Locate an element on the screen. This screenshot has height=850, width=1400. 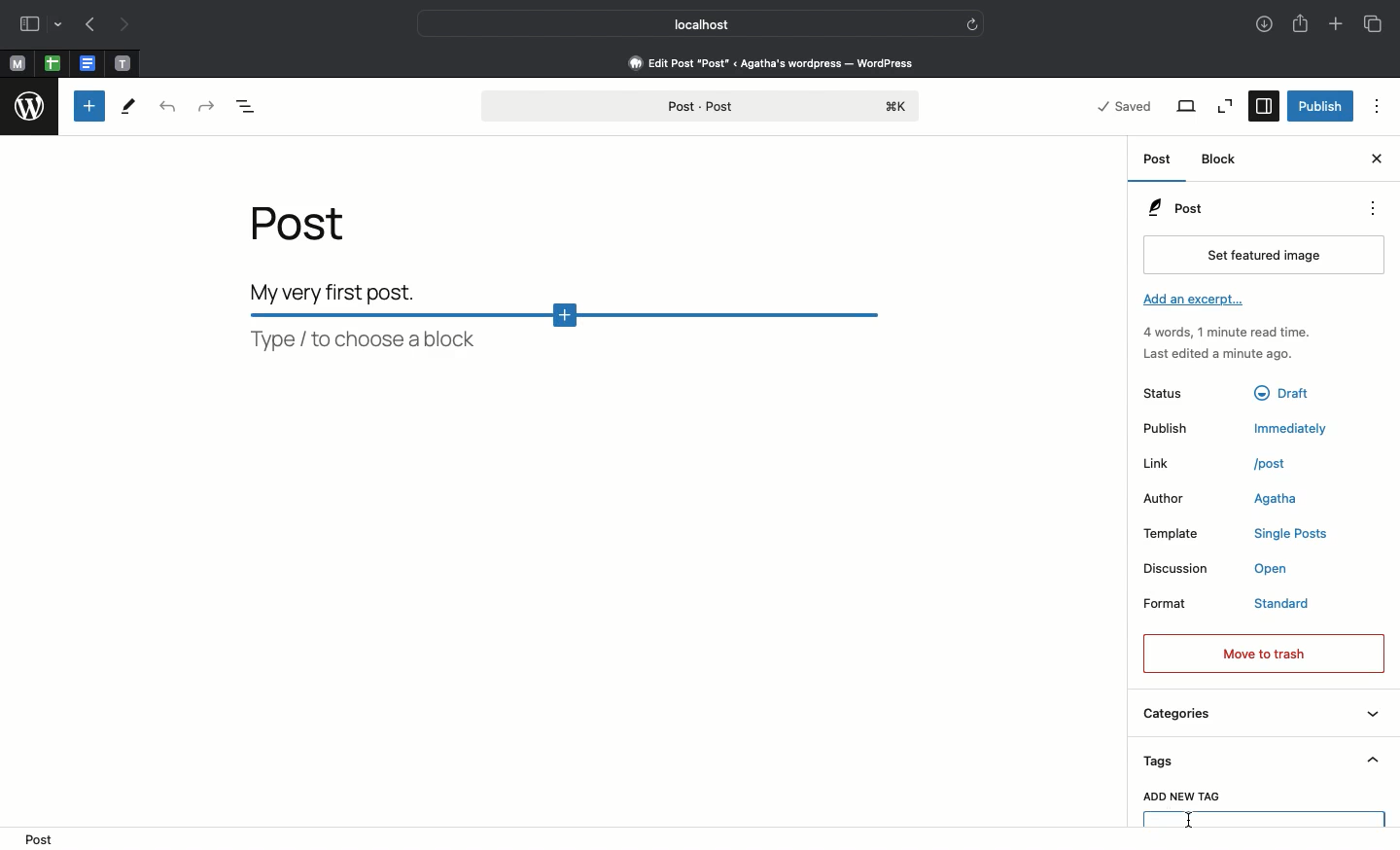
post is located at coordinates (1272, 462).